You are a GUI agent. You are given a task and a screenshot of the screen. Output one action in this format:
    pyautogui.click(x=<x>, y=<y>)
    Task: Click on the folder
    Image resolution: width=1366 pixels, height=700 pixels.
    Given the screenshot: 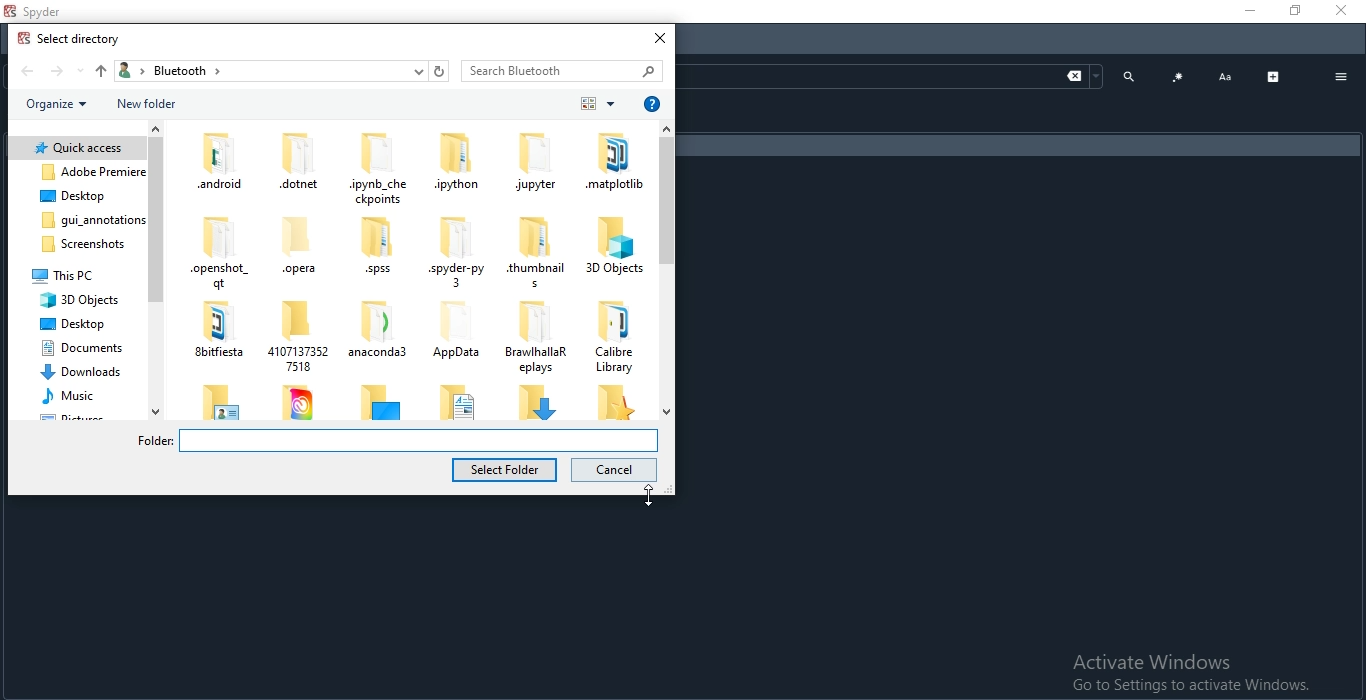 What is the action you would take?
    pyautogui.click(x=217, y=333)
    